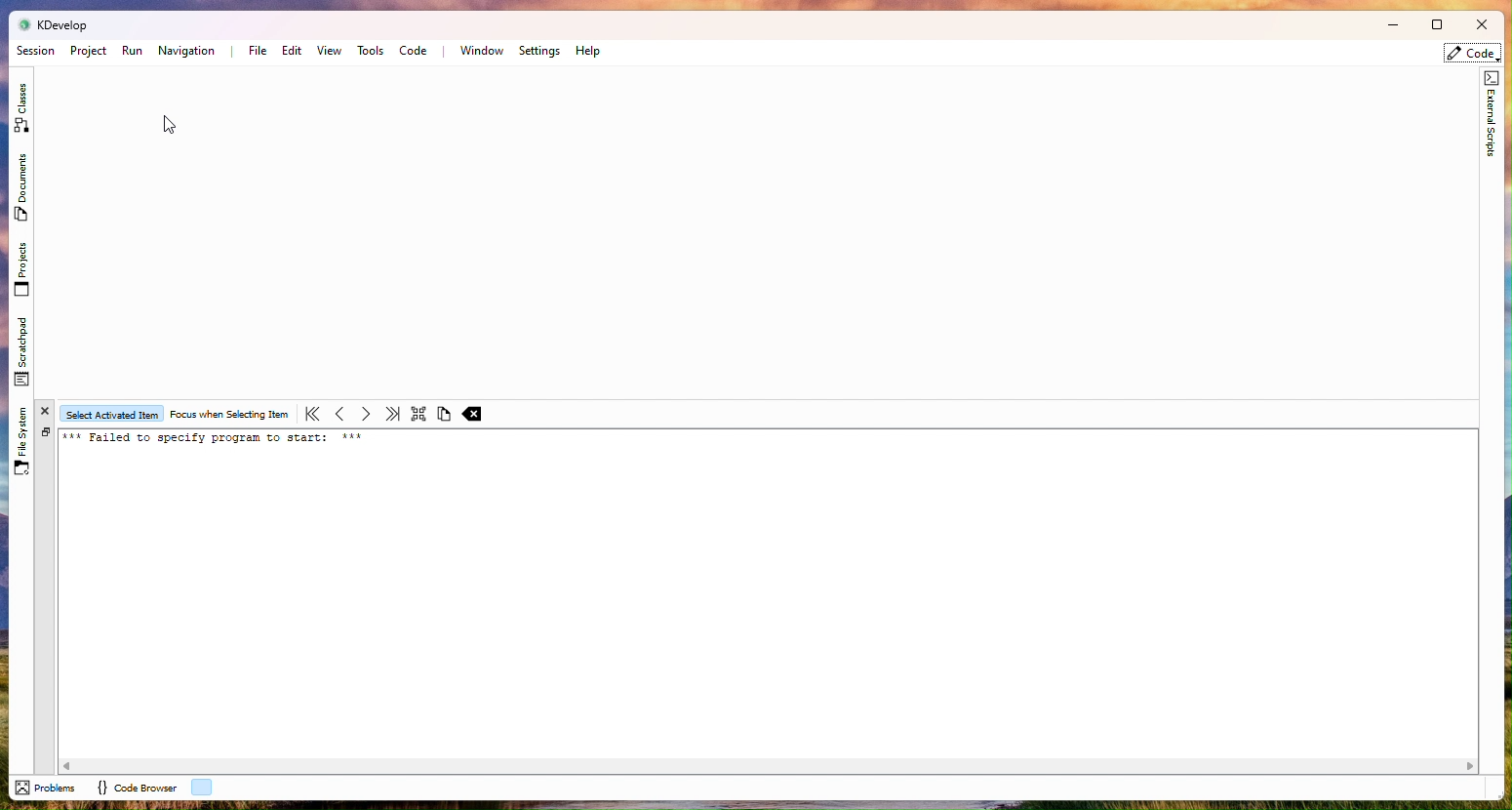 The height and width of the screenshot is (810, 1512). Describe the element at coordinates (474, 414) in the screenshot. I see `Clear` at that location.